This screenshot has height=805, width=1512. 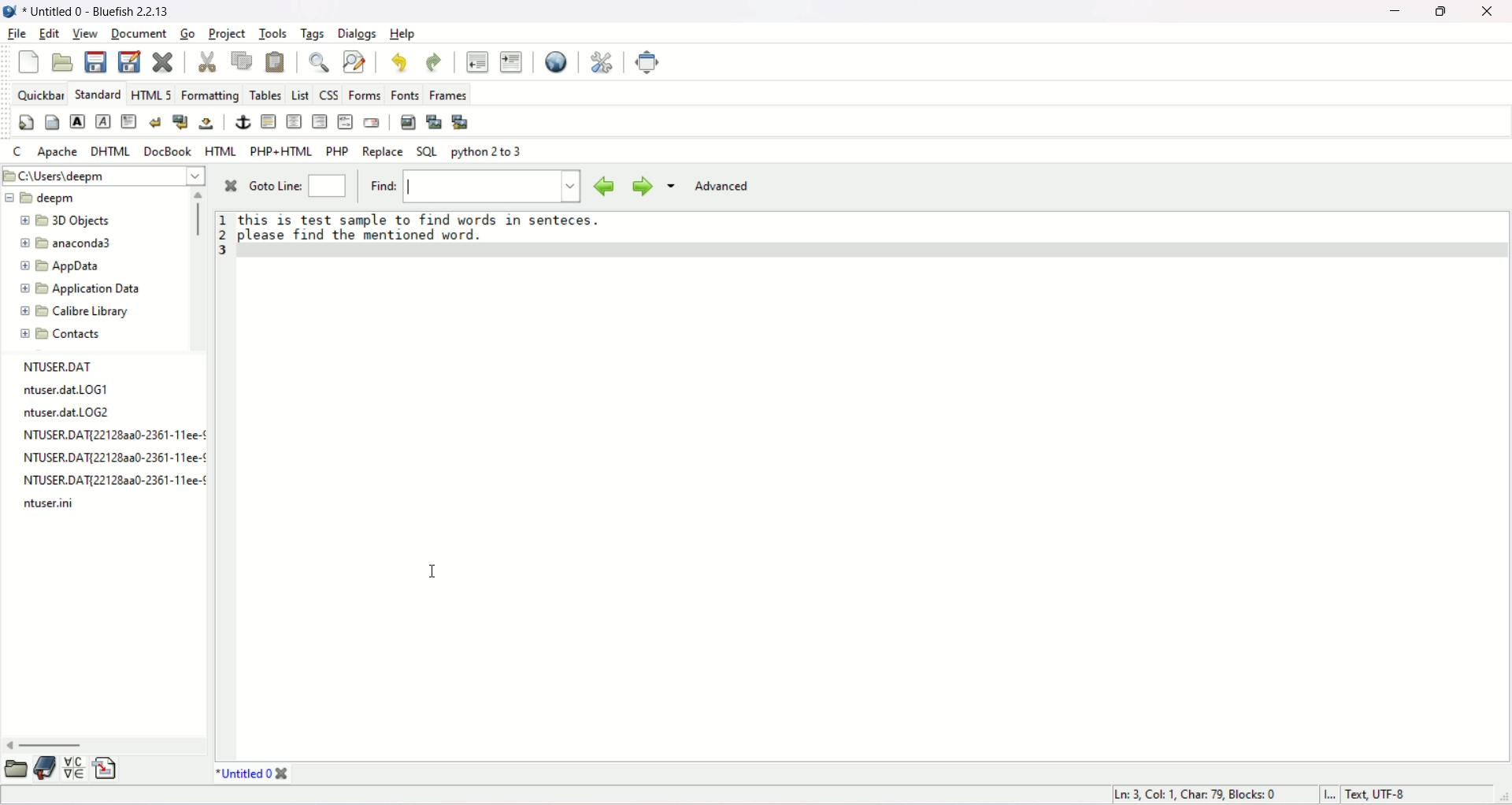 What do you see at coordinates (301, 185) in the screenshot?
I see `goto line:` at bounding box center [301, 185].